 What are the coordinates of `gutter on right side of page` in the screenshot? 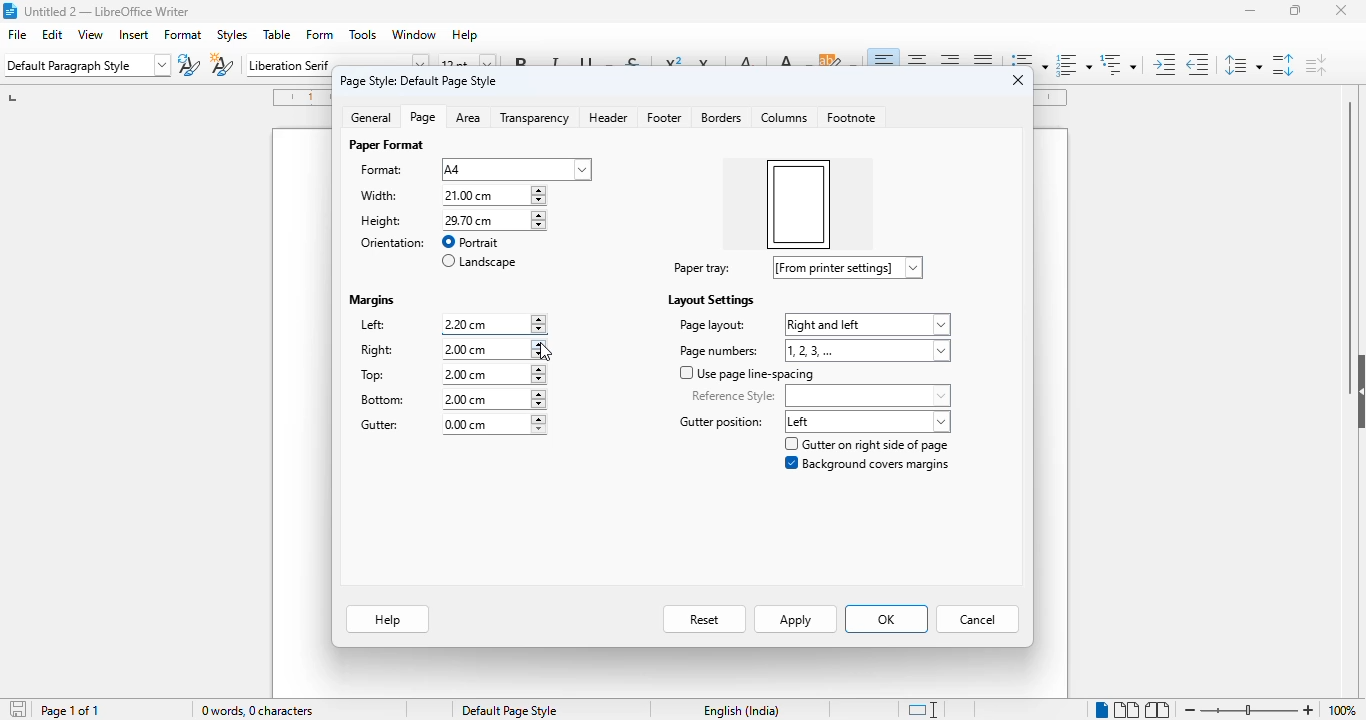 It's located at (868, 444).